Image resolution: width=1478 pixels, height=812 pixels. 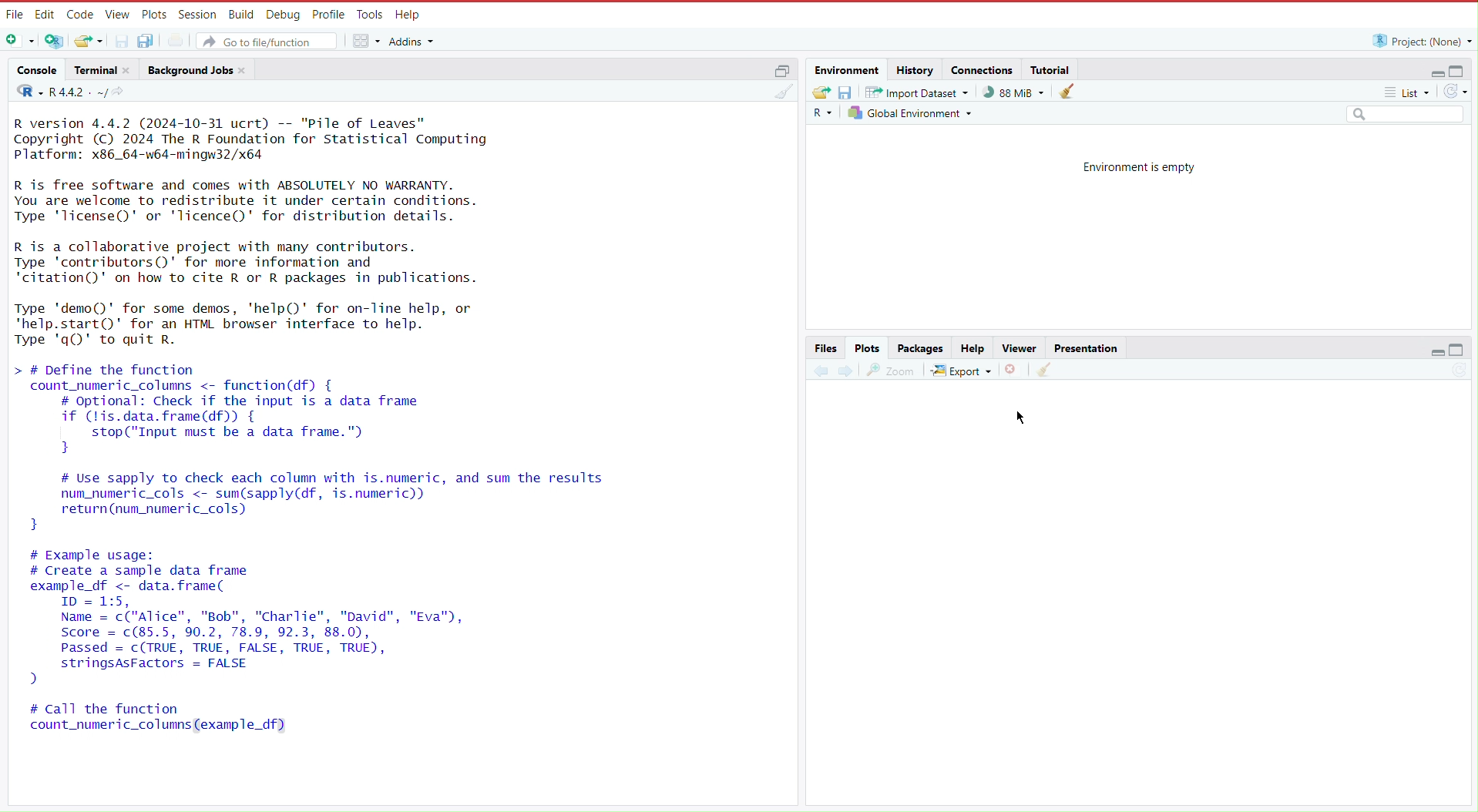 What do you see at coordinates (325, 13) in the screenshot?
I see `Profile` at bounding box center [325, 13].